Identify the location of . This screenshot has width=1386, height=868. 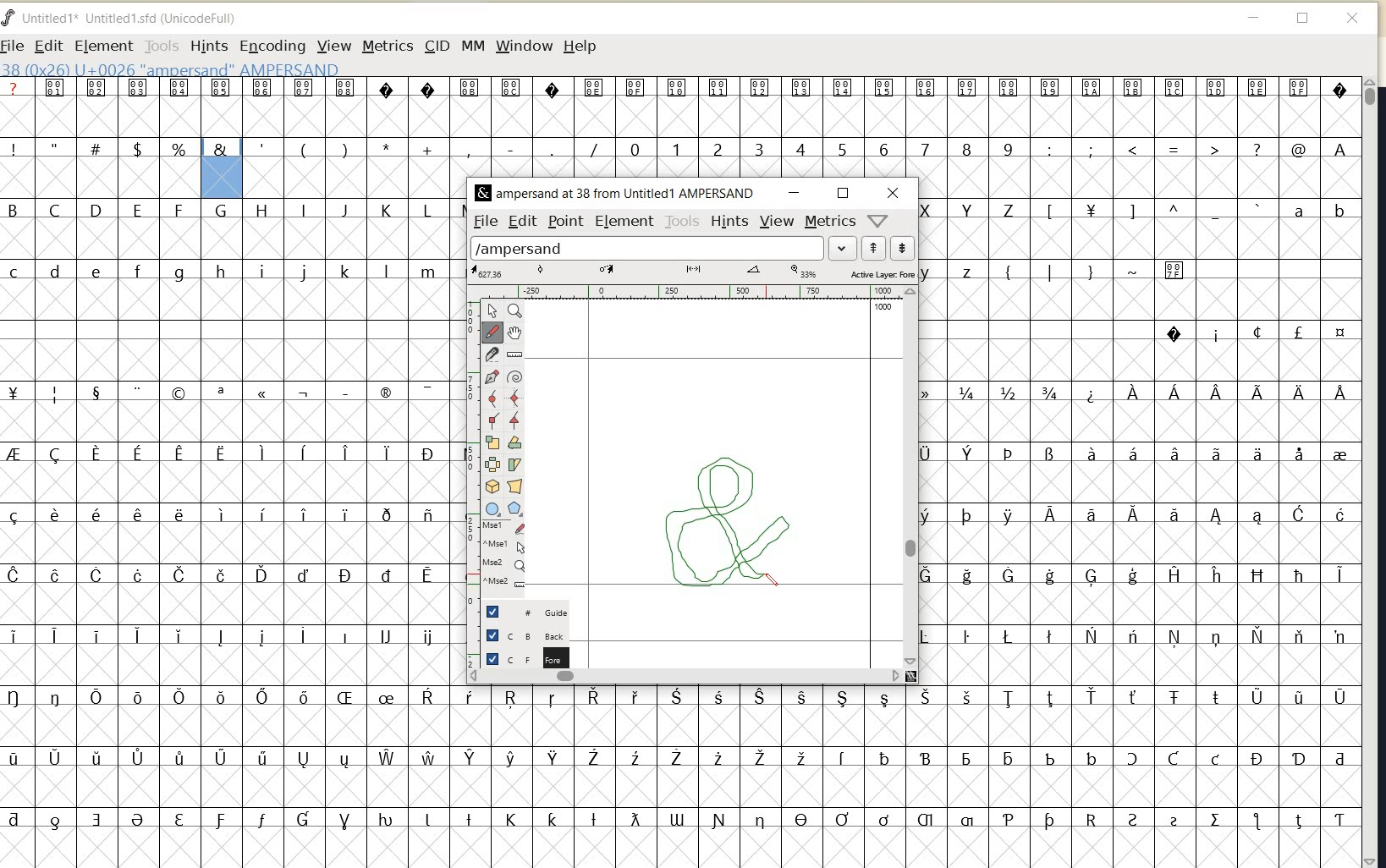
(517, 509).